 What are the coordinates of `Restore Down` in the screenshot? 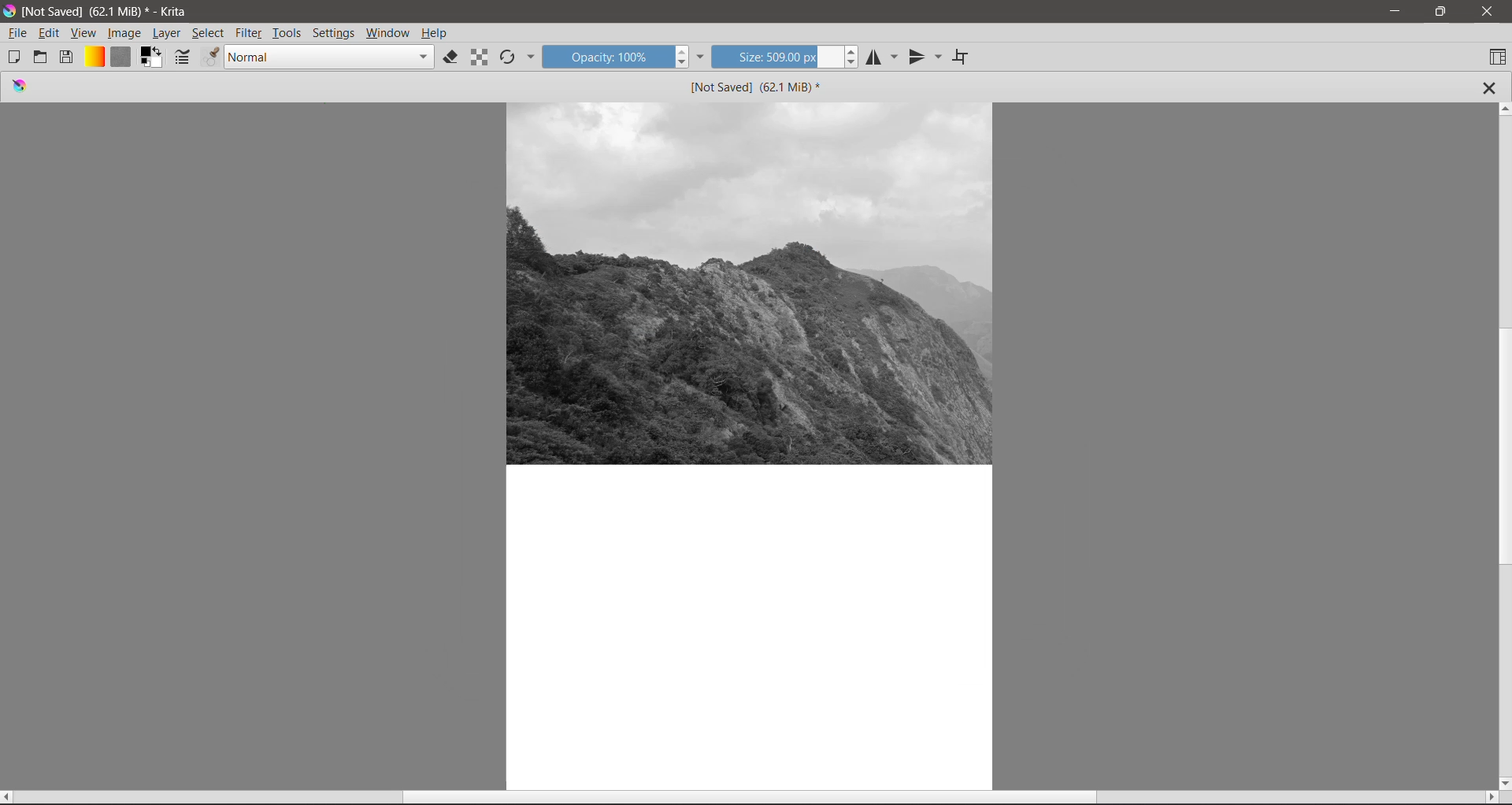 It's located at (1440, 12).